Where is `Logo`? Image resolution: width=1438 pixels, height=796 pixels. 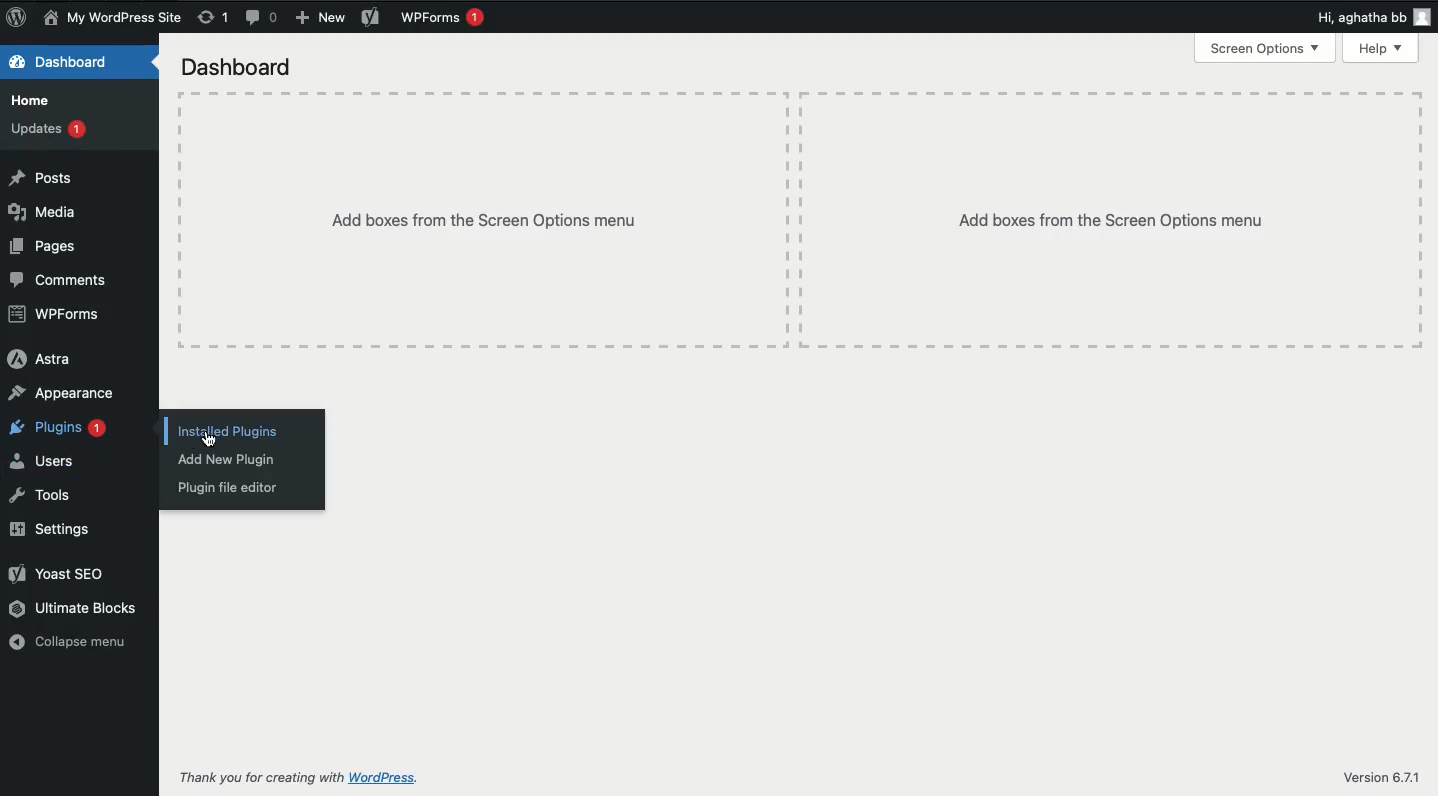
Logo is located at coordinates (17, 18).